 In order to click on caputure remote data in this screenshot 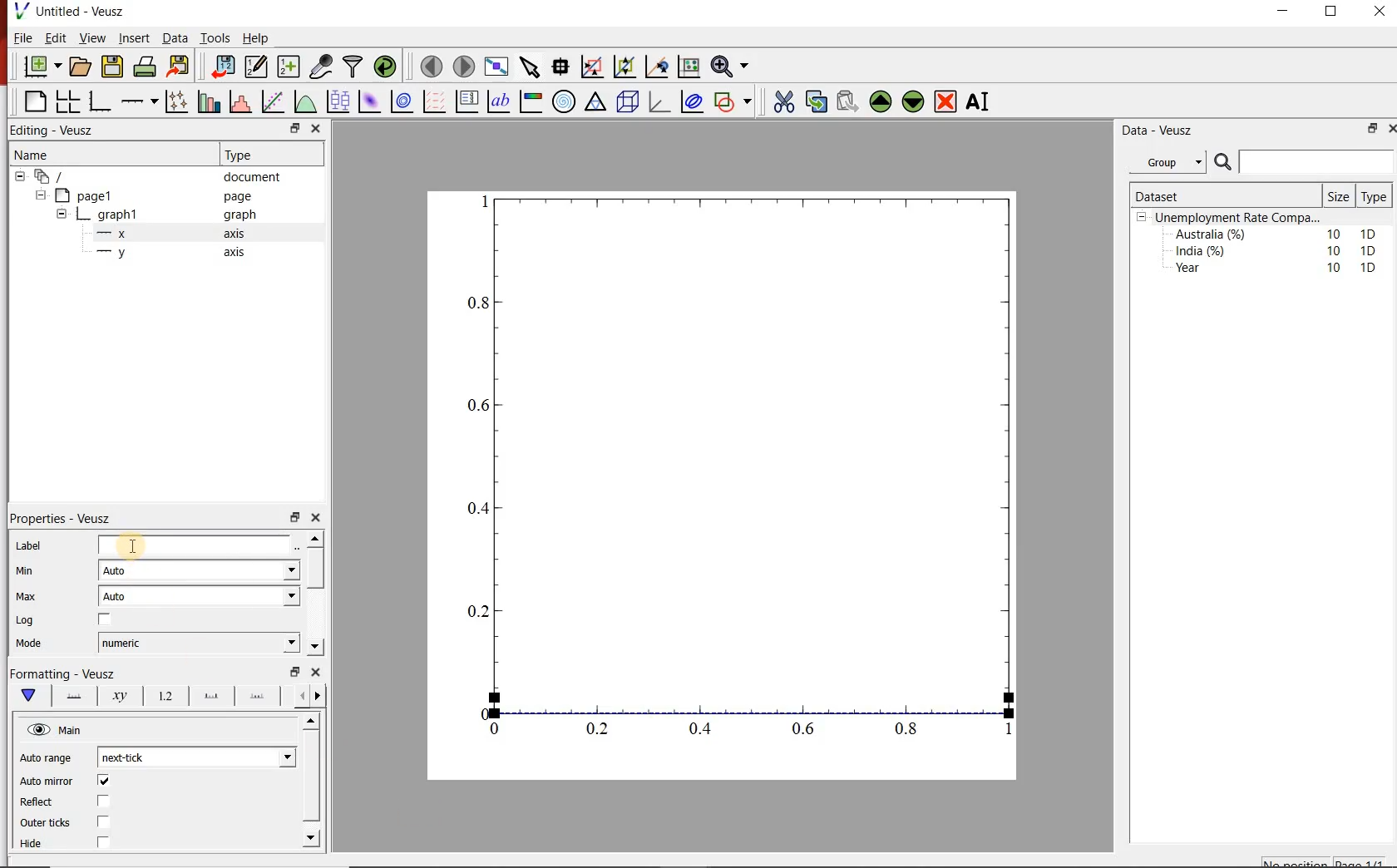, I will do `click(323, 66)`.